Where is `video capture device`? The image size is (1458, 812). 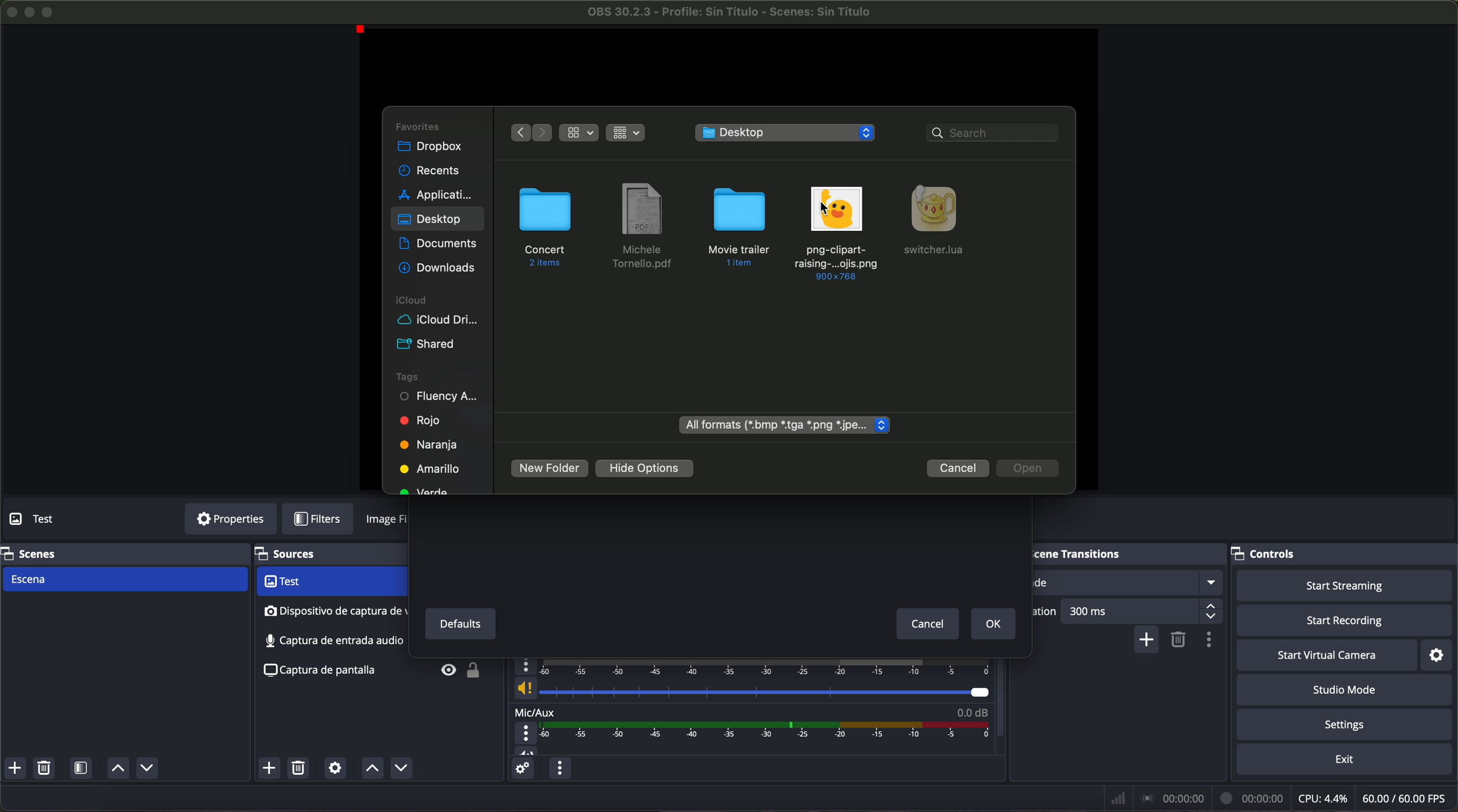
video capture device is located at coordinates (330, 582).